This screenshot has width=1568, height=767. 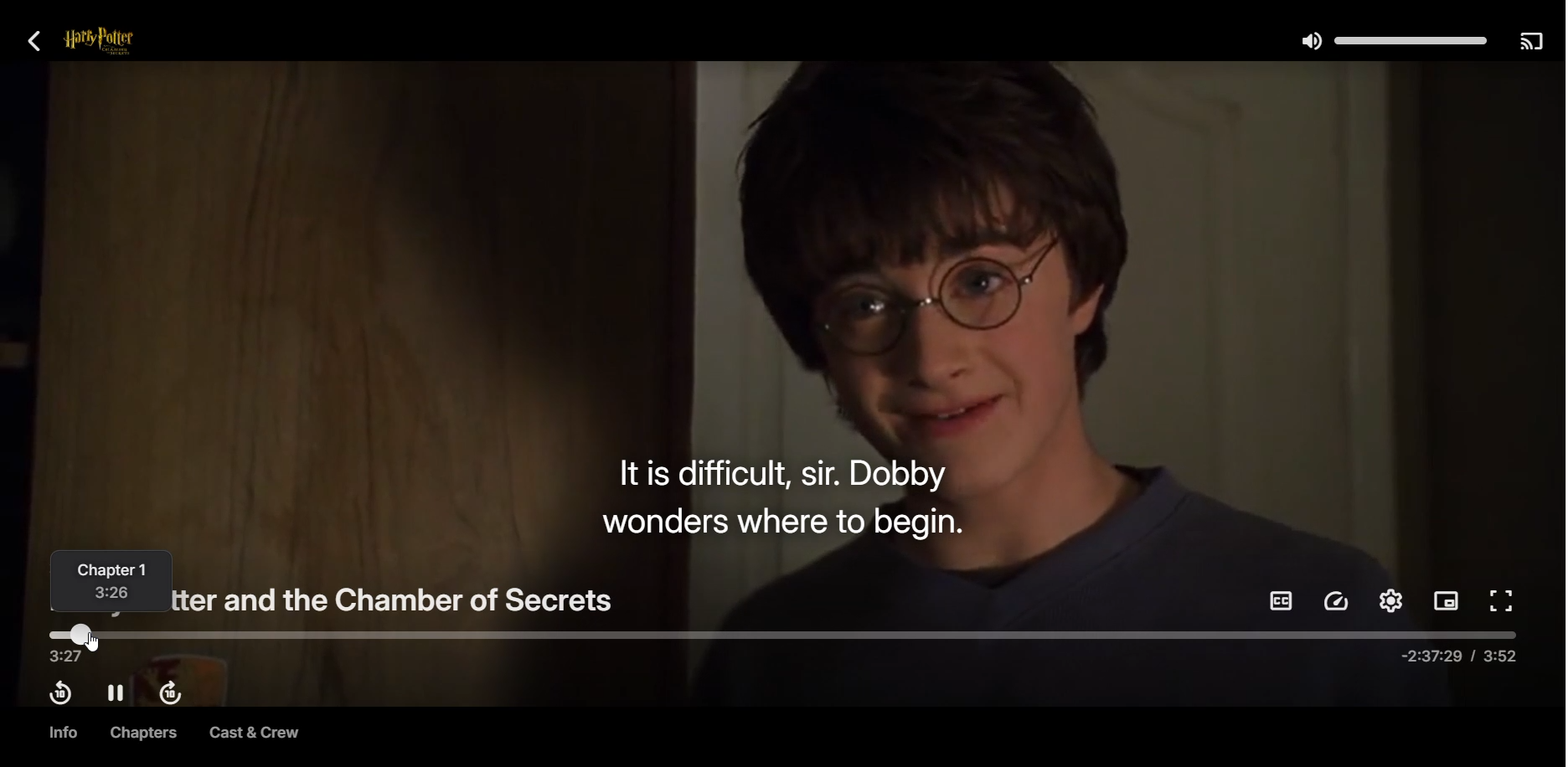 I want to click on Back, so click(x=35, y=40).